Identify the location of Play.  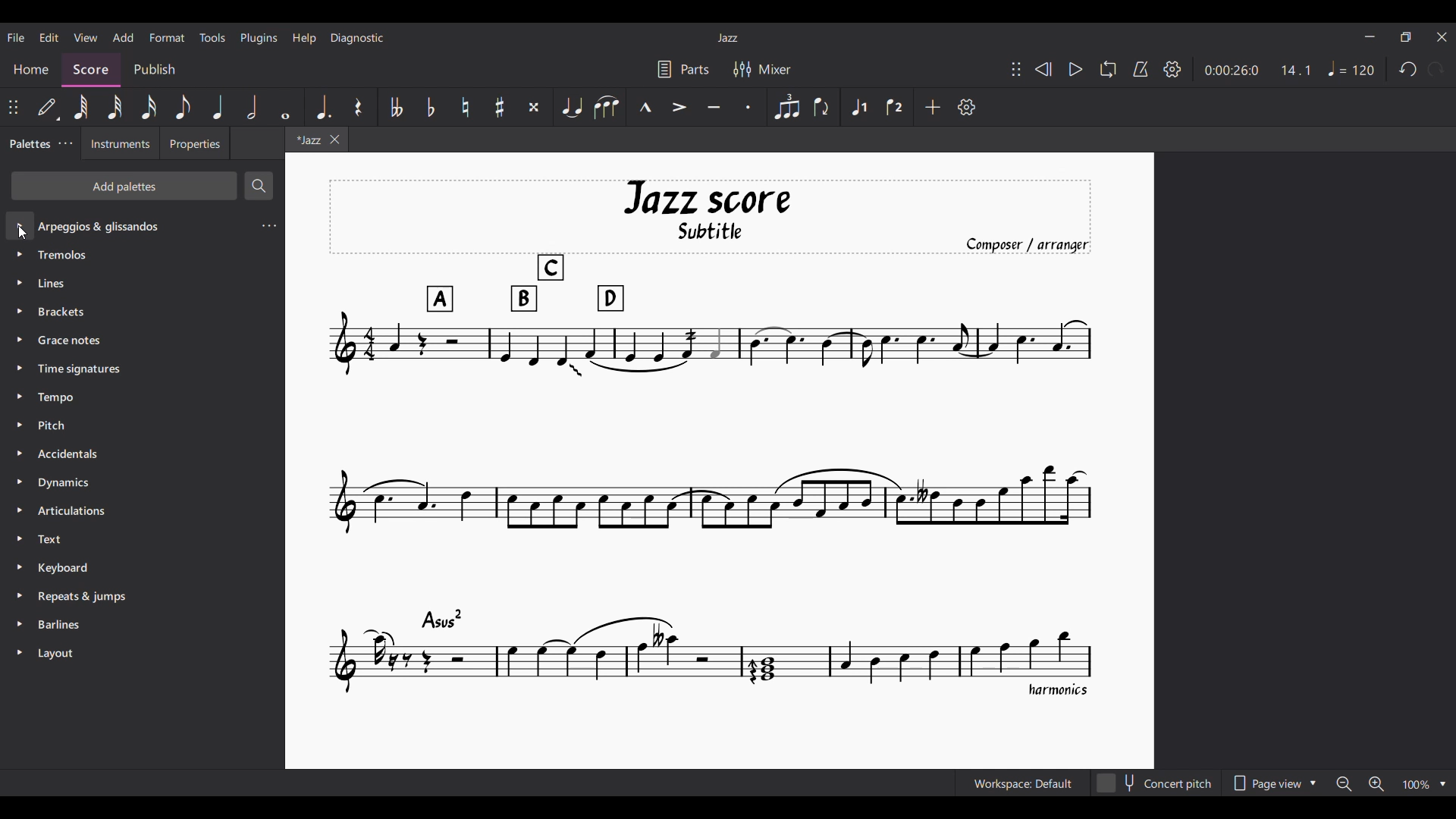
(1075, 70).